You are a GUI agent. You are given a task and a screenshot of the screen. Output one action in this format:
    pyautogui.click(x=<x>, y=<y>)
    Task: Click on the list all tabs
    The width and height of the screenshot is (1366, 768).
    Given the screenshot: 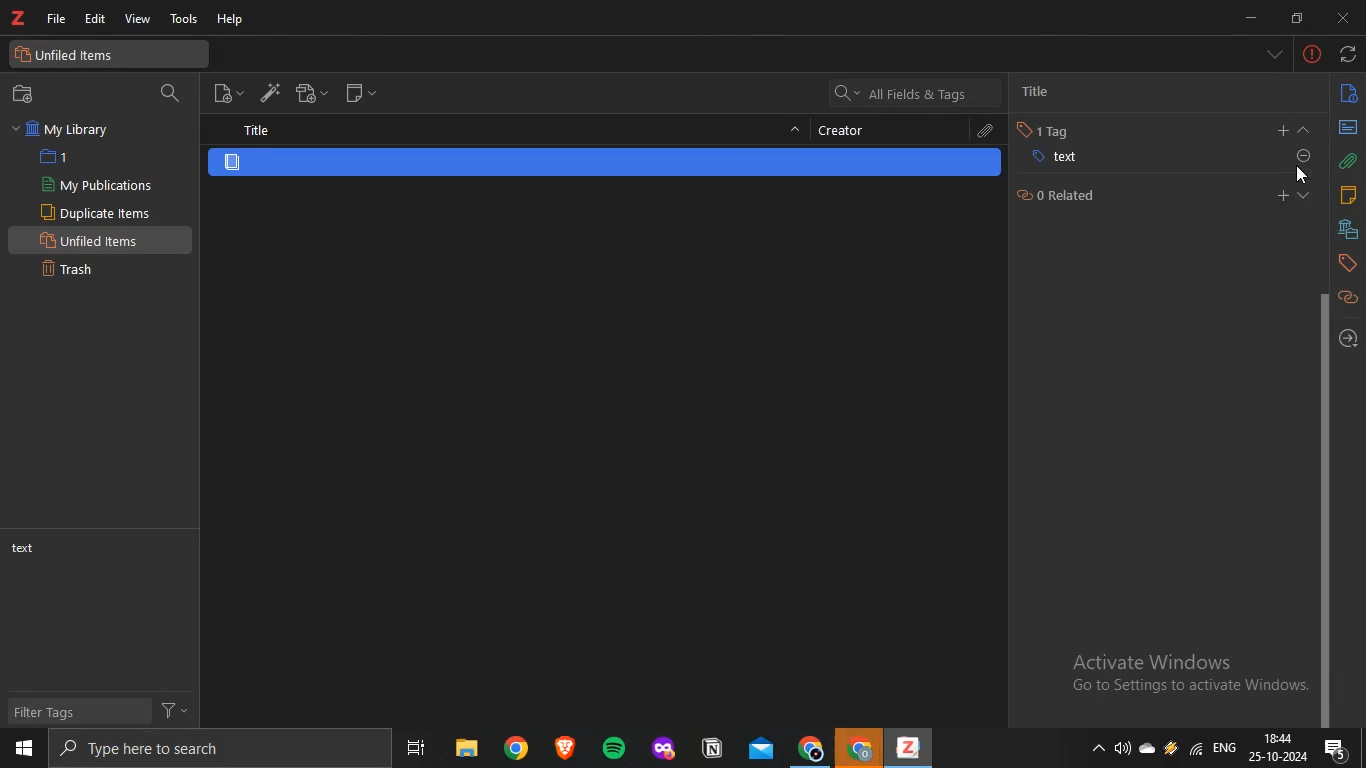 What is the action you would take?
    pyautogui.click(x=1267, y=55)
    